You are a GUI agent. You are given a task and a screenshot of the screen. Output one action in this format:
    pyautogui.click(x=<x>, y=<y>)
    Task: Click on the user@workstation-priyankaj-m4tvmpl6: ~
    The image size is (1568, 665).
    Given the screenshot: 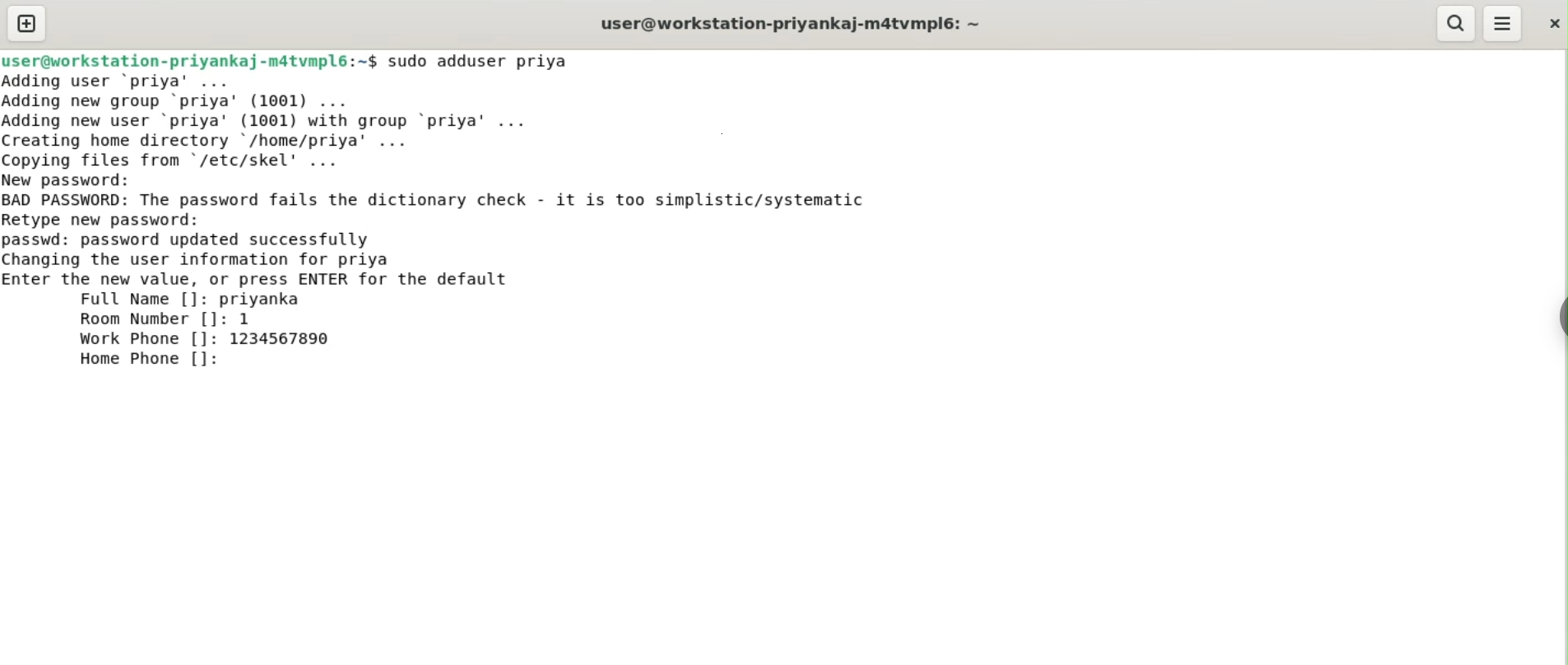 What is the action you would take?
    pyautogui.click(x=791, y=26)
    